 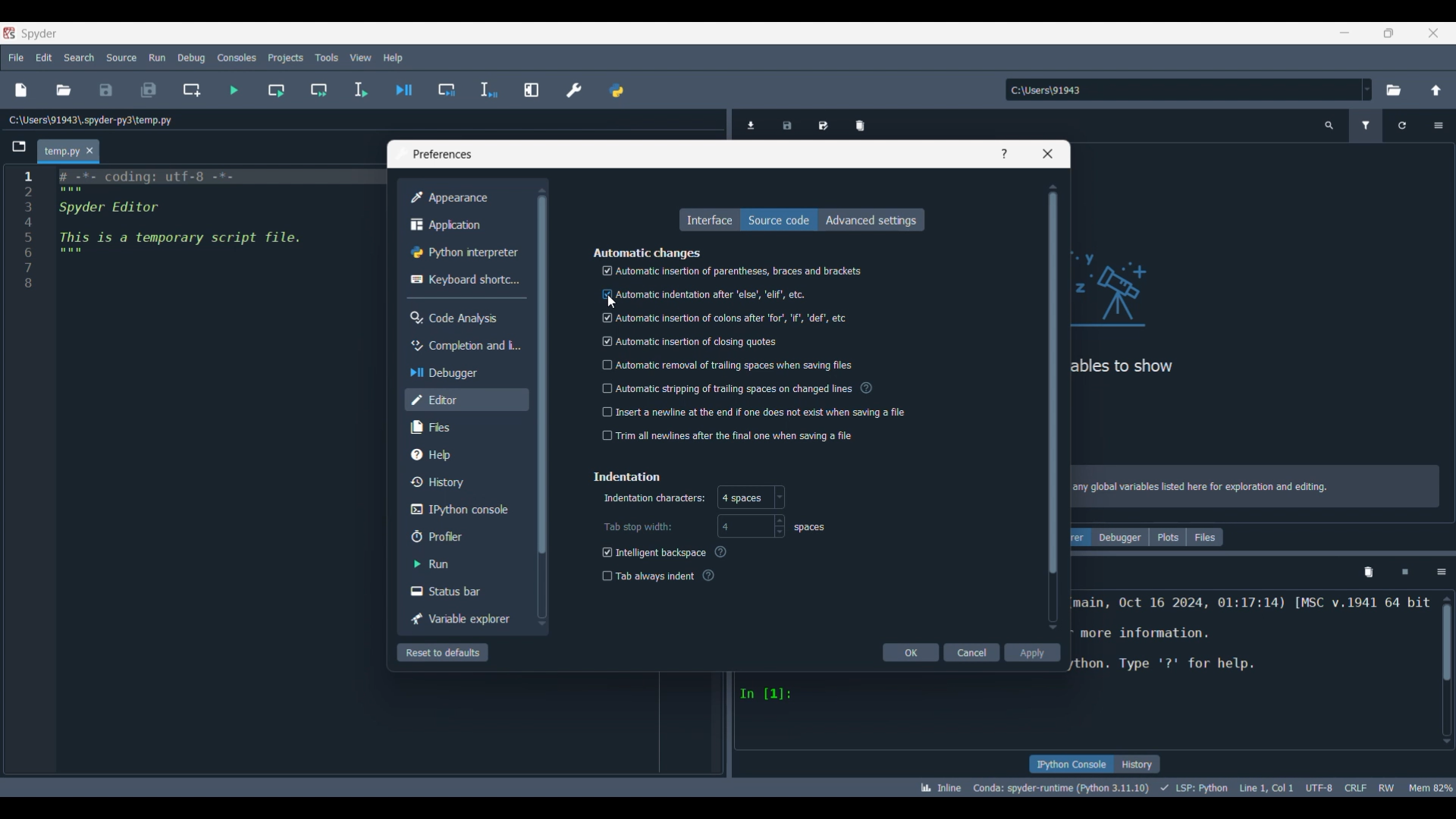 What do you see at coordinates (465, 373) in the screenshot?
I see `Debugger` at bounding box center [465, 373].